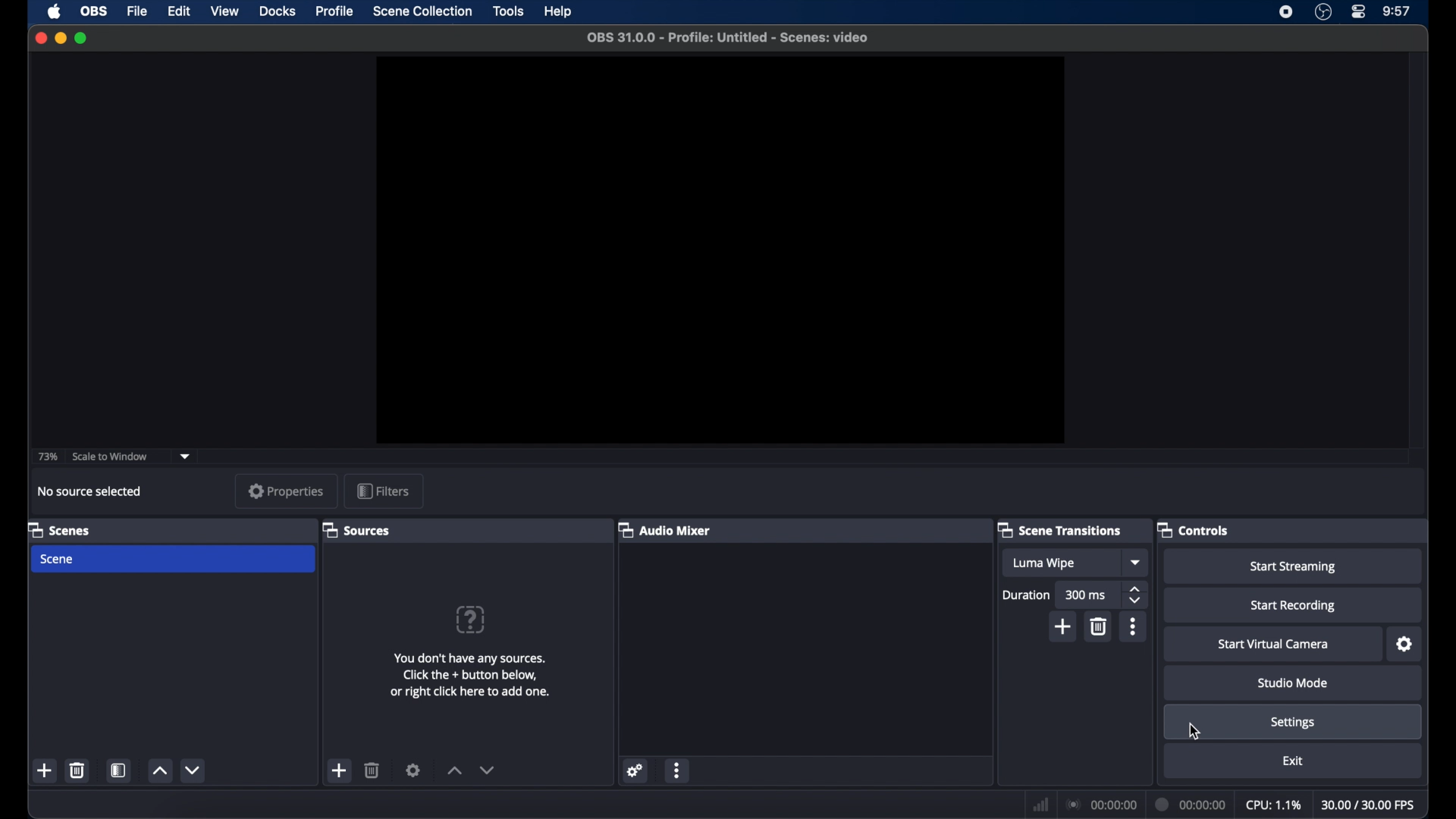  Describe the element at coordinates (469, 618) in the screenshot. I see `question mark icon` at that location.